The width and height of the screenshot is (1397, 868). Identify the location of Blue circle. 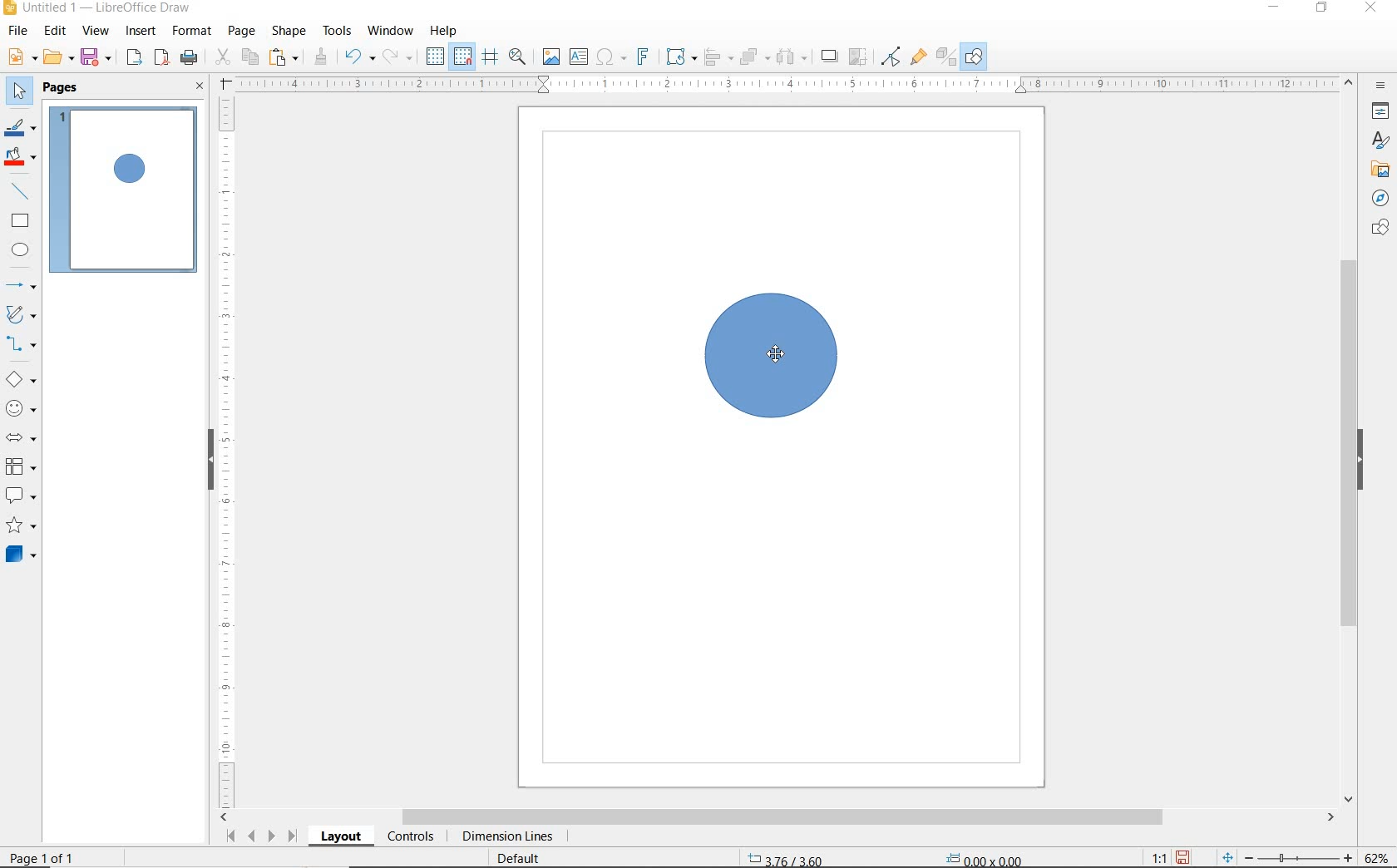
(772, 354).